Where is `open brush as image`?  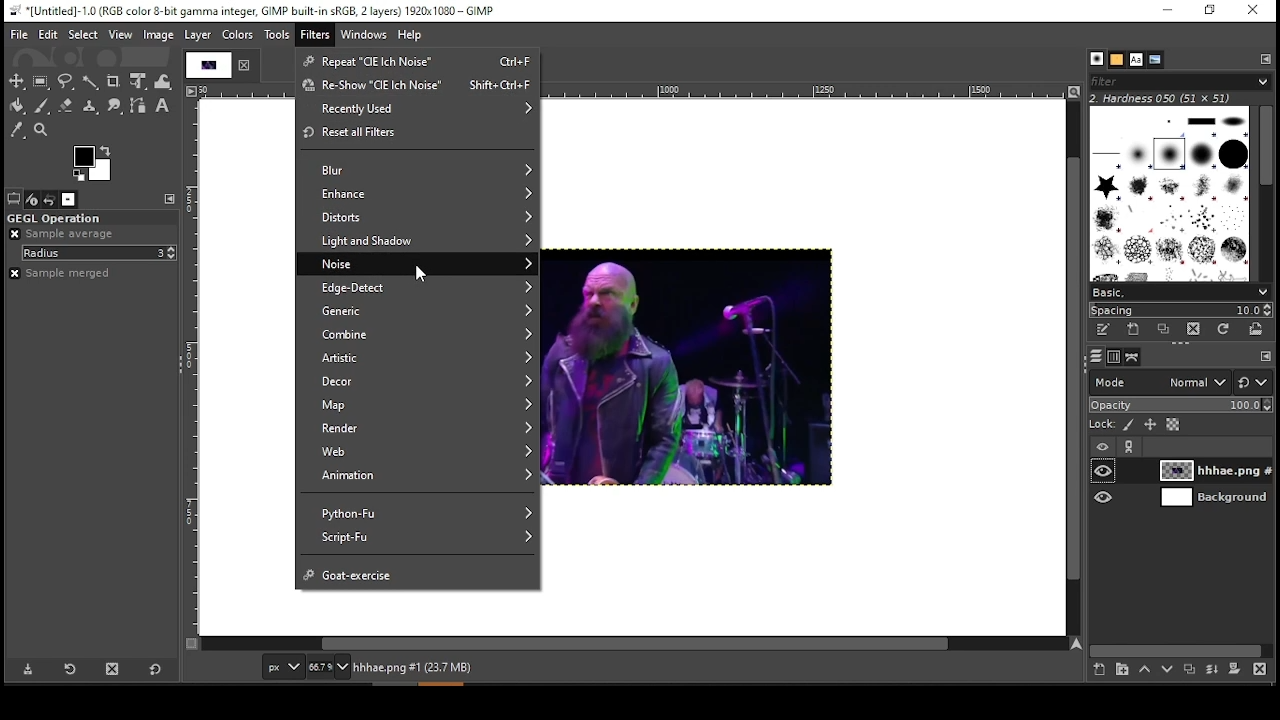
open brush as image is located at coordinates (1256, 331).